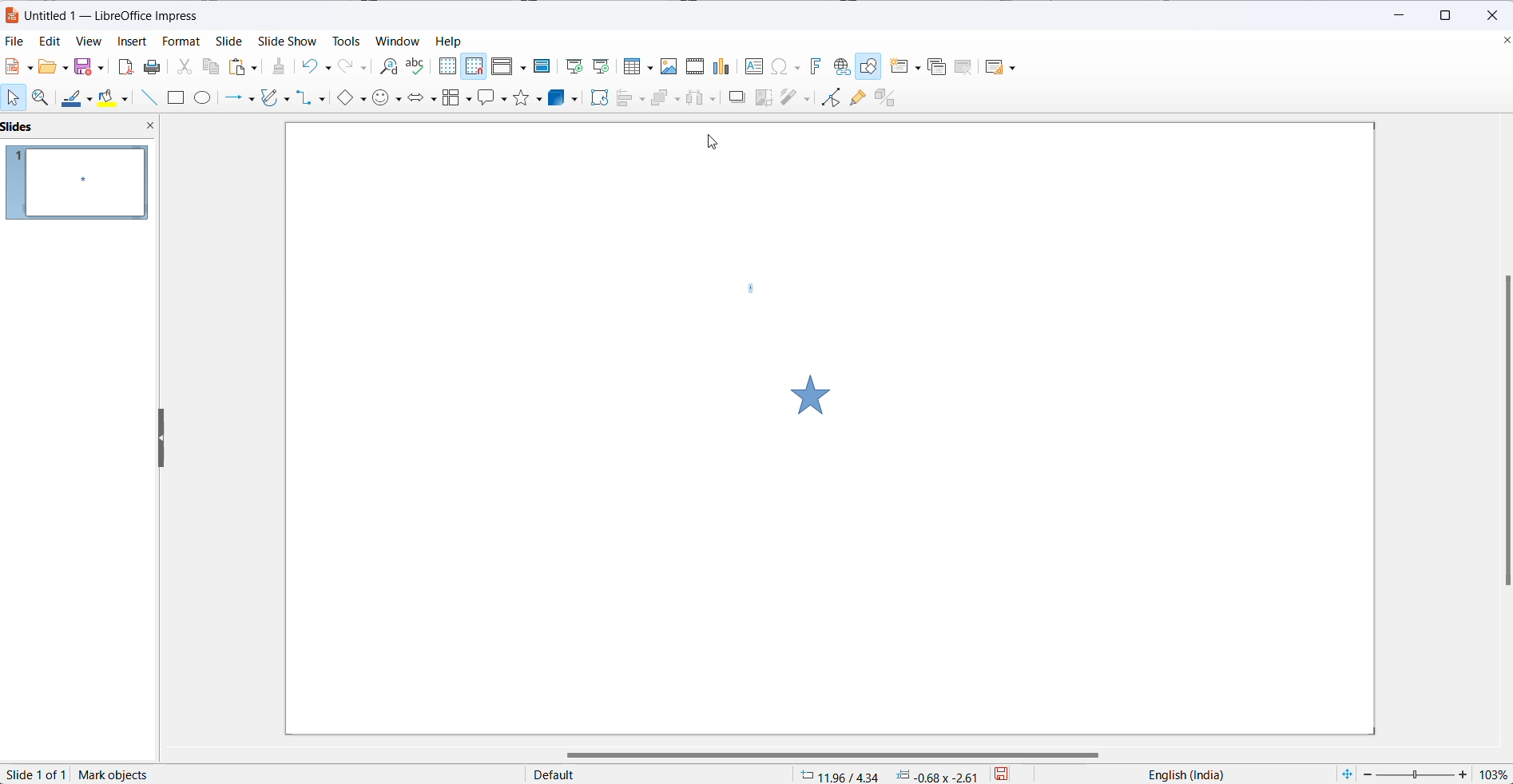 The height and width of the screenshot is (784, 1513). What do you see at coordinates (704, 98) in the screenshot?
I see `` at bounding box center [704, 98].